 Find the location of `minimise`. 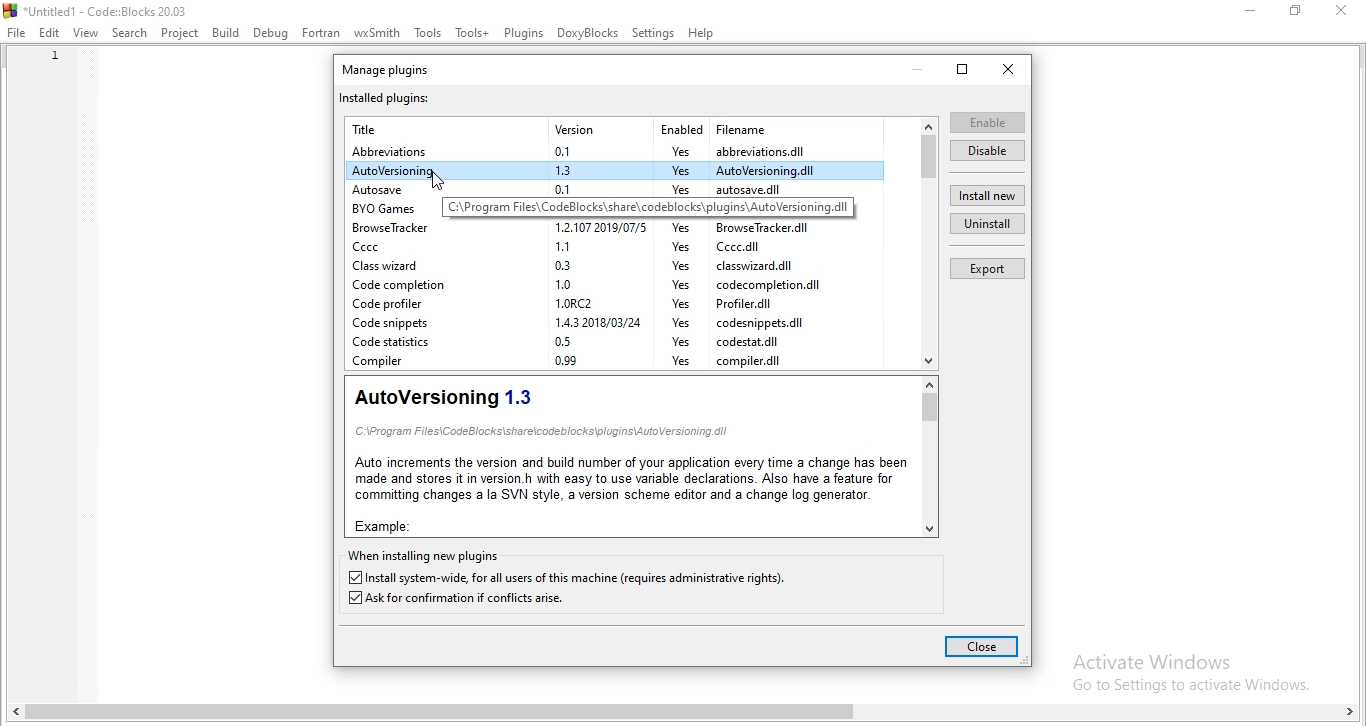

minimise is located at coordinates (921, 65).